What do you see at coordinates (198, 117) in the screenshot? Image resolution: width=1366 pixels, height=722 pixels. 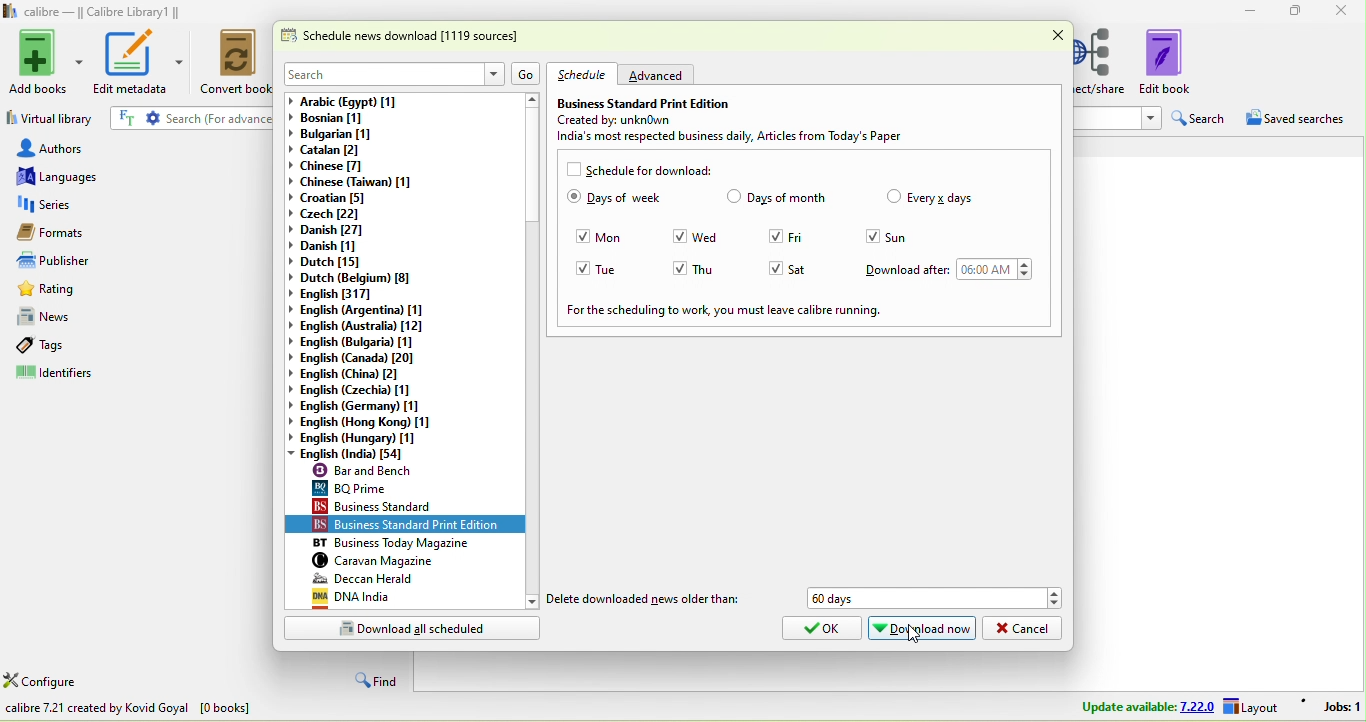 I see `search {for advanced search click the gear icon to the left]` at bounding box center [198, 117].